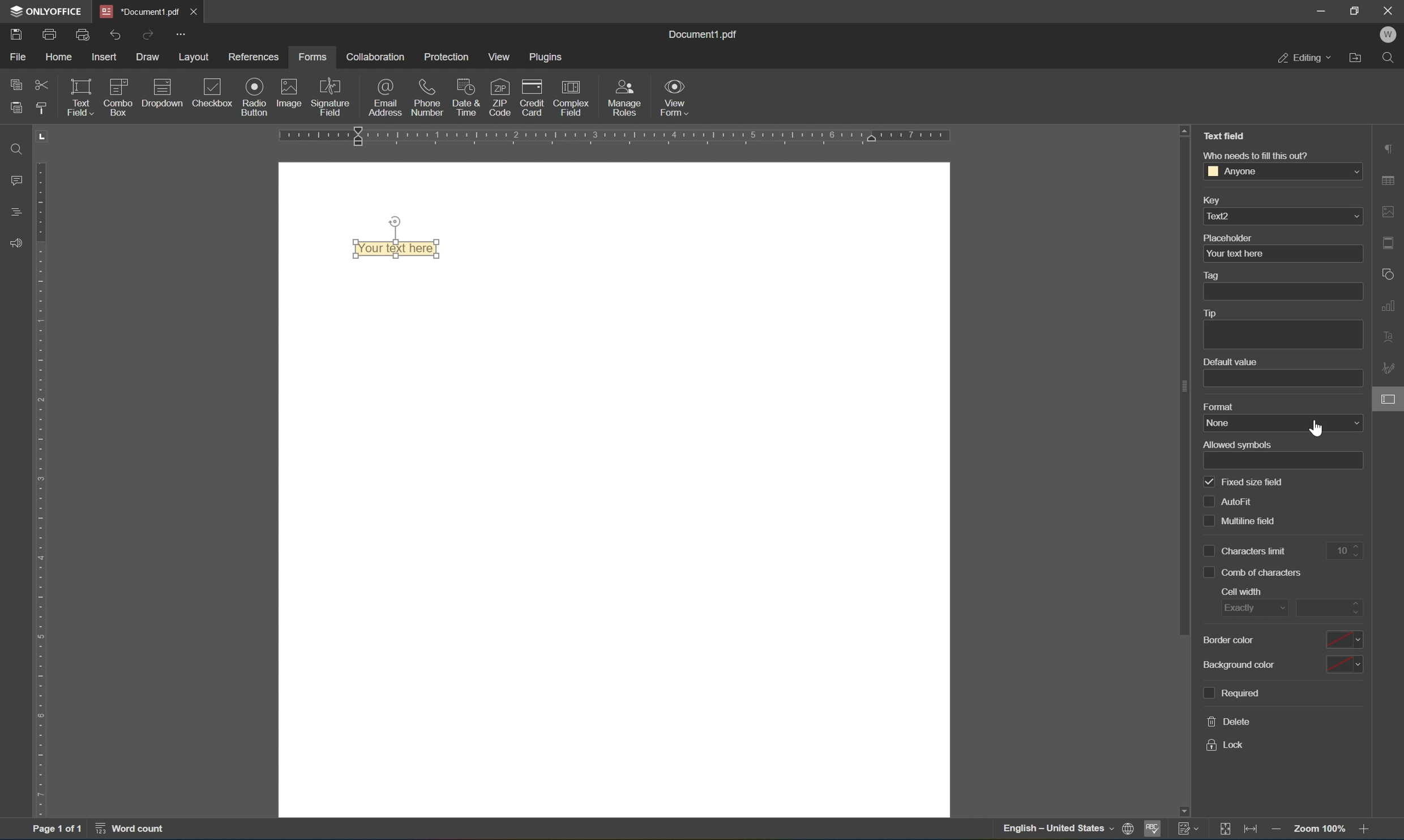 The image size is (1404, 840). I want to click on save, so click(17, 36).